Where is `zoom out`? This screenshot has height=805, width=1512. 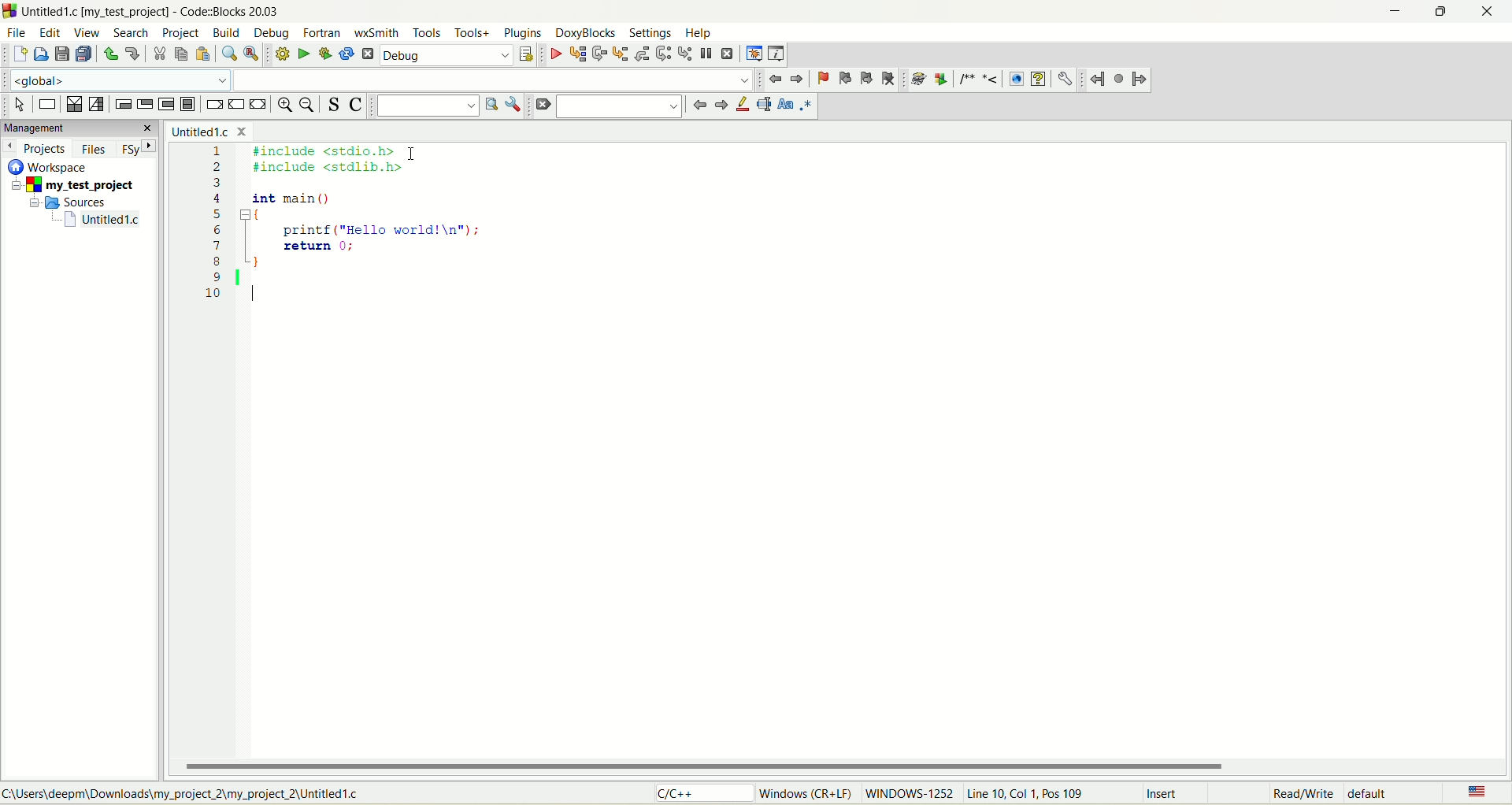 zoom out is located at coordinates (309, 108).